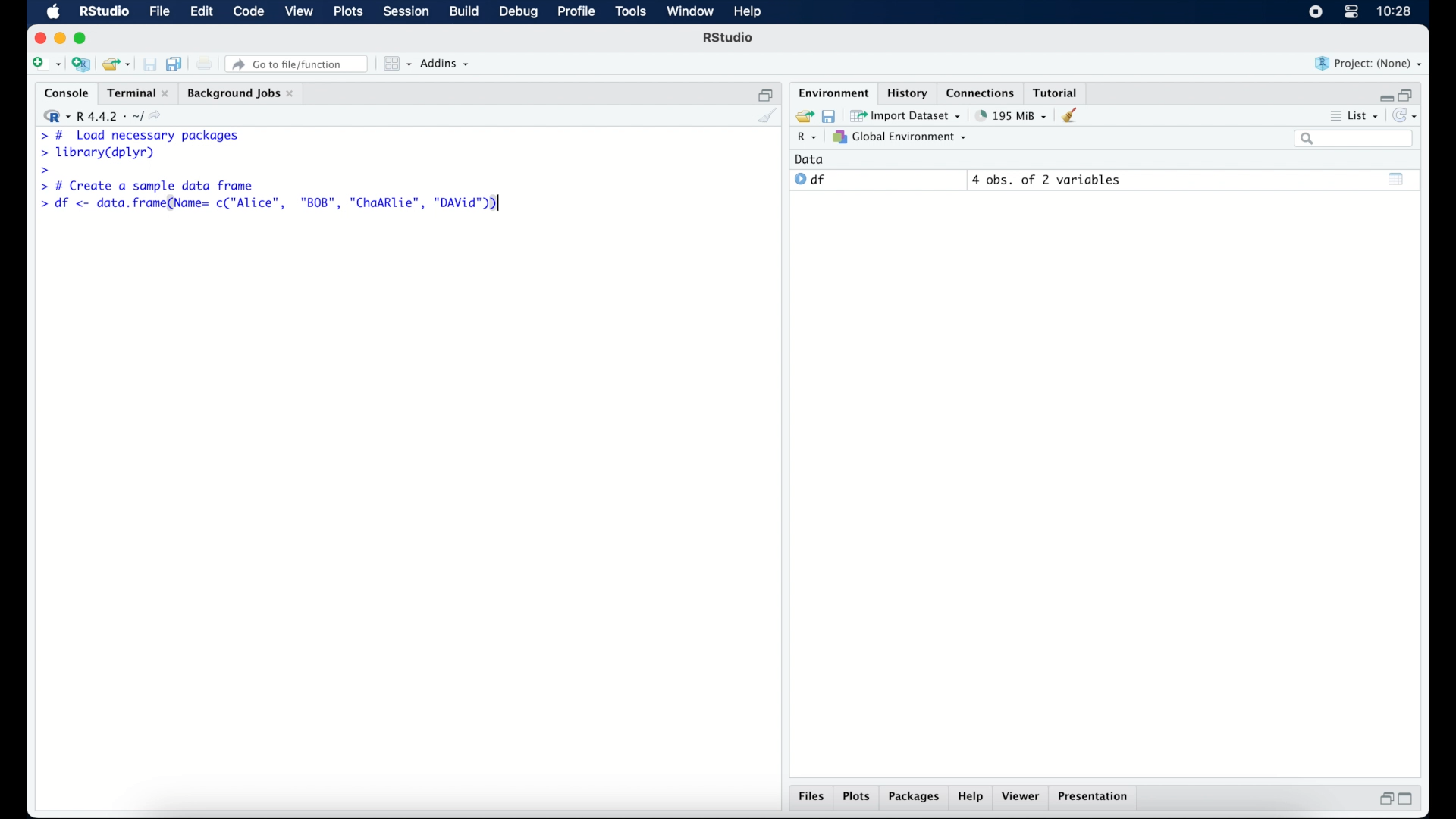  I want to click on help, so click(971, 799).